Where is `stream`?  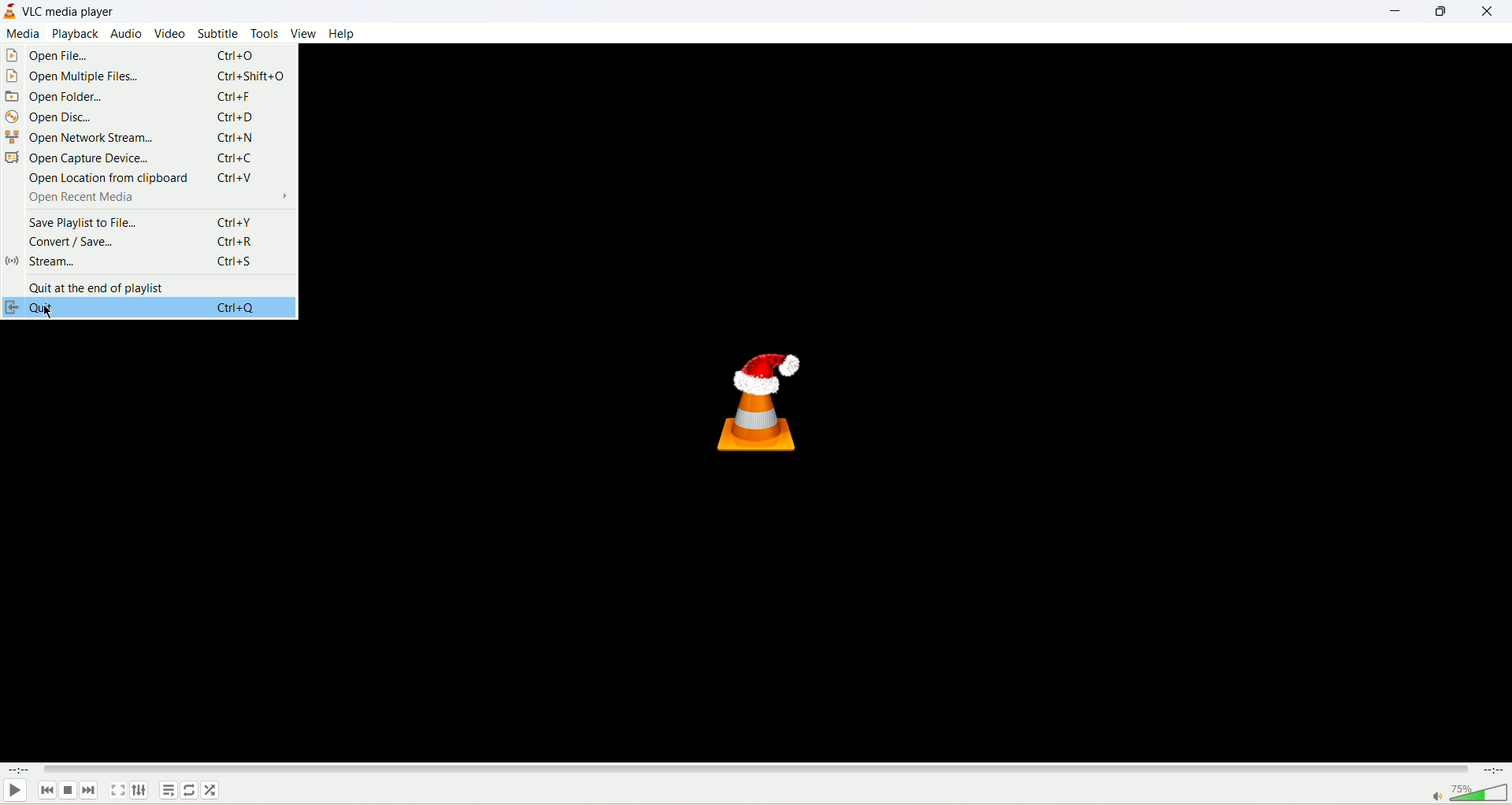
stream is located at coordinates (147, 263).